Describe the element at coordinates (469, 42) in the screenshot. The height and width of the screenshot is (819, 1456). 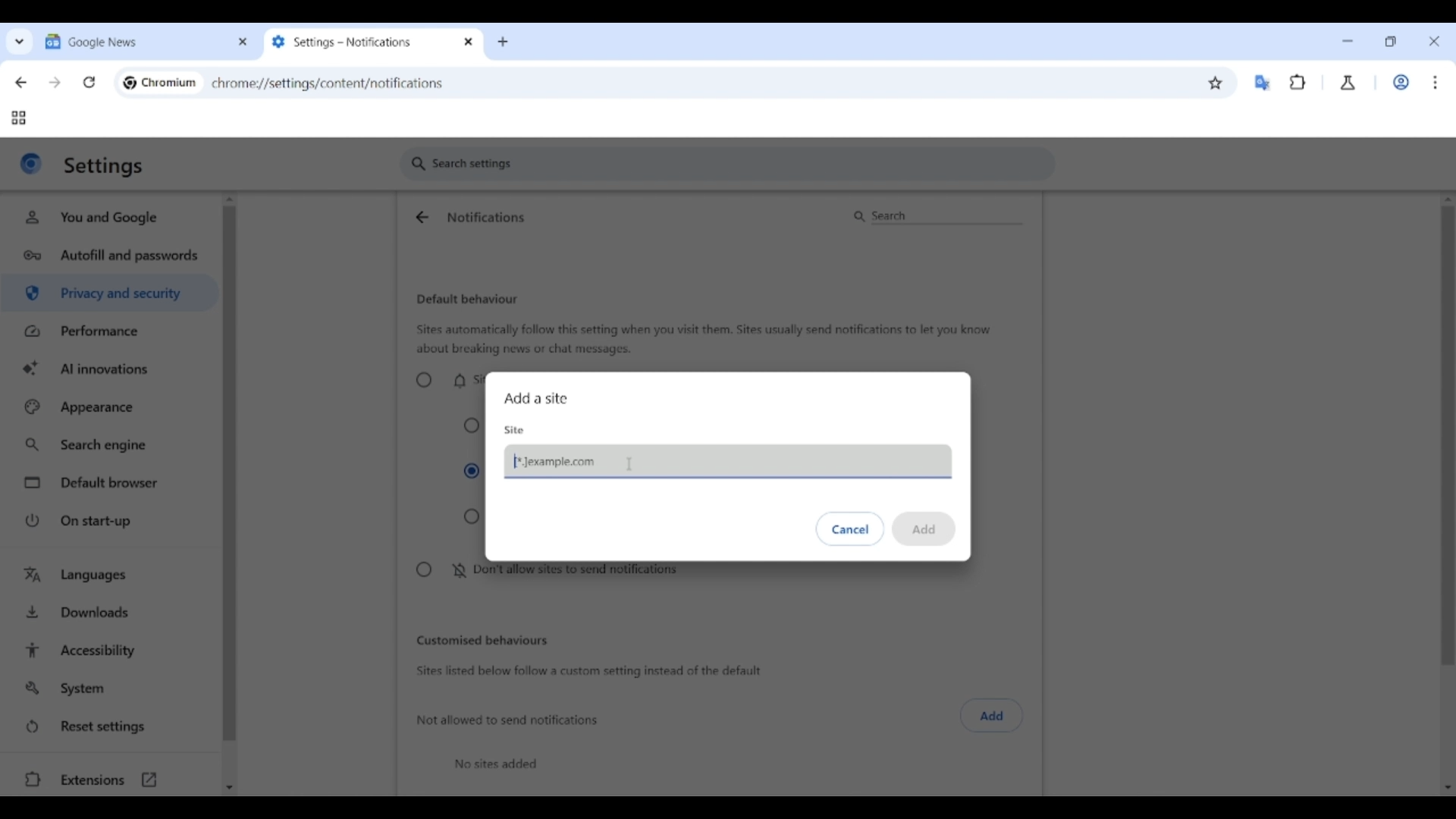
I see `Close tab 2` at that location.